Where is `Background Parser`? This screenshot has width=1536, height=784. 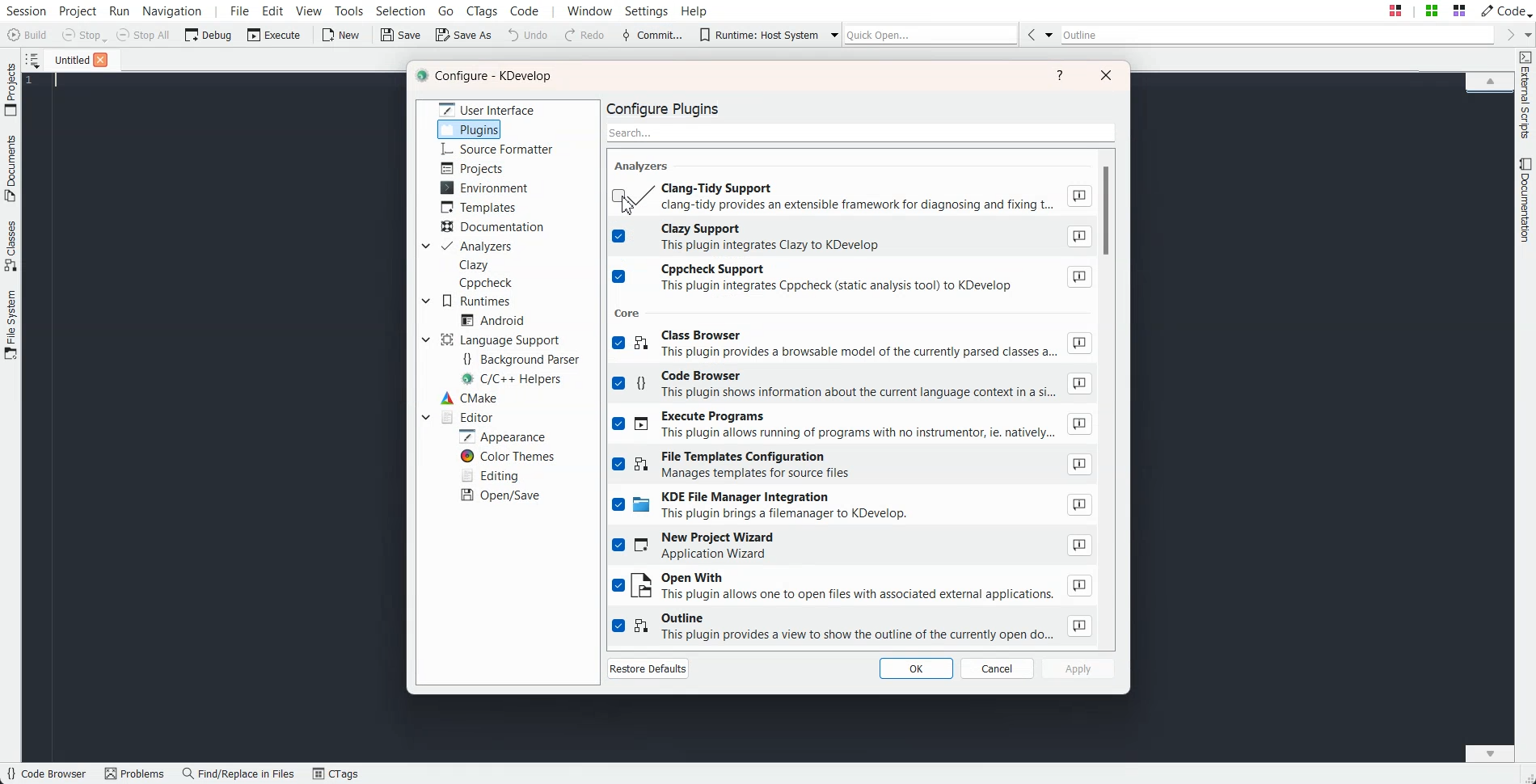
Background Parser is located at coordinates (521, 358).